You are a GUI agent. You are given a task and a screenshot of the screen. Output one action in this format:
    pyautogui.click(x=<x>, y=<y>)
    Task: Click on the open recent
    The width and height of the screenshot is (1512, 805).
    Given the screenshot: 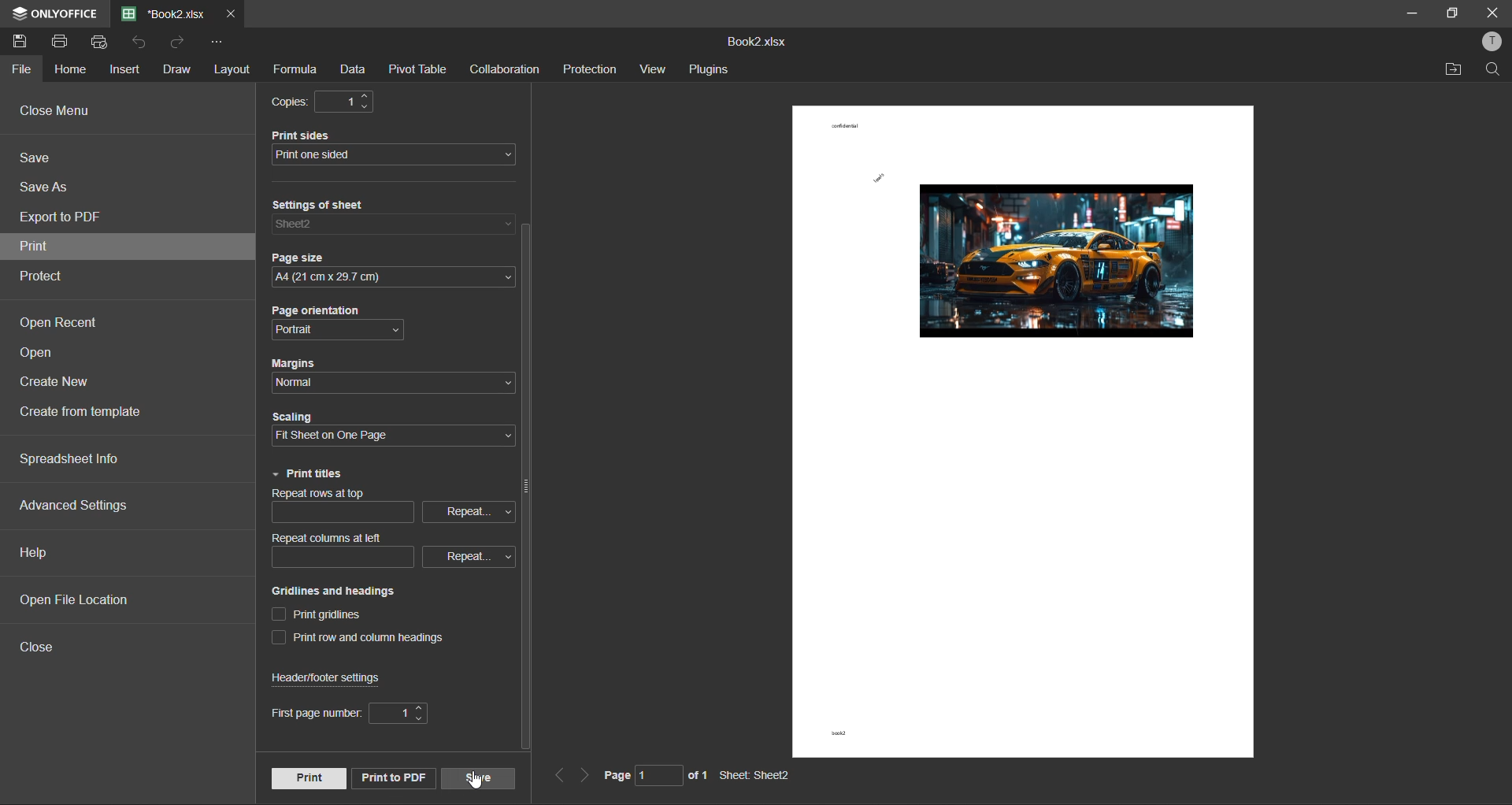 What is the action you would take?
    pyautogui.click(x=58, y=319)
    